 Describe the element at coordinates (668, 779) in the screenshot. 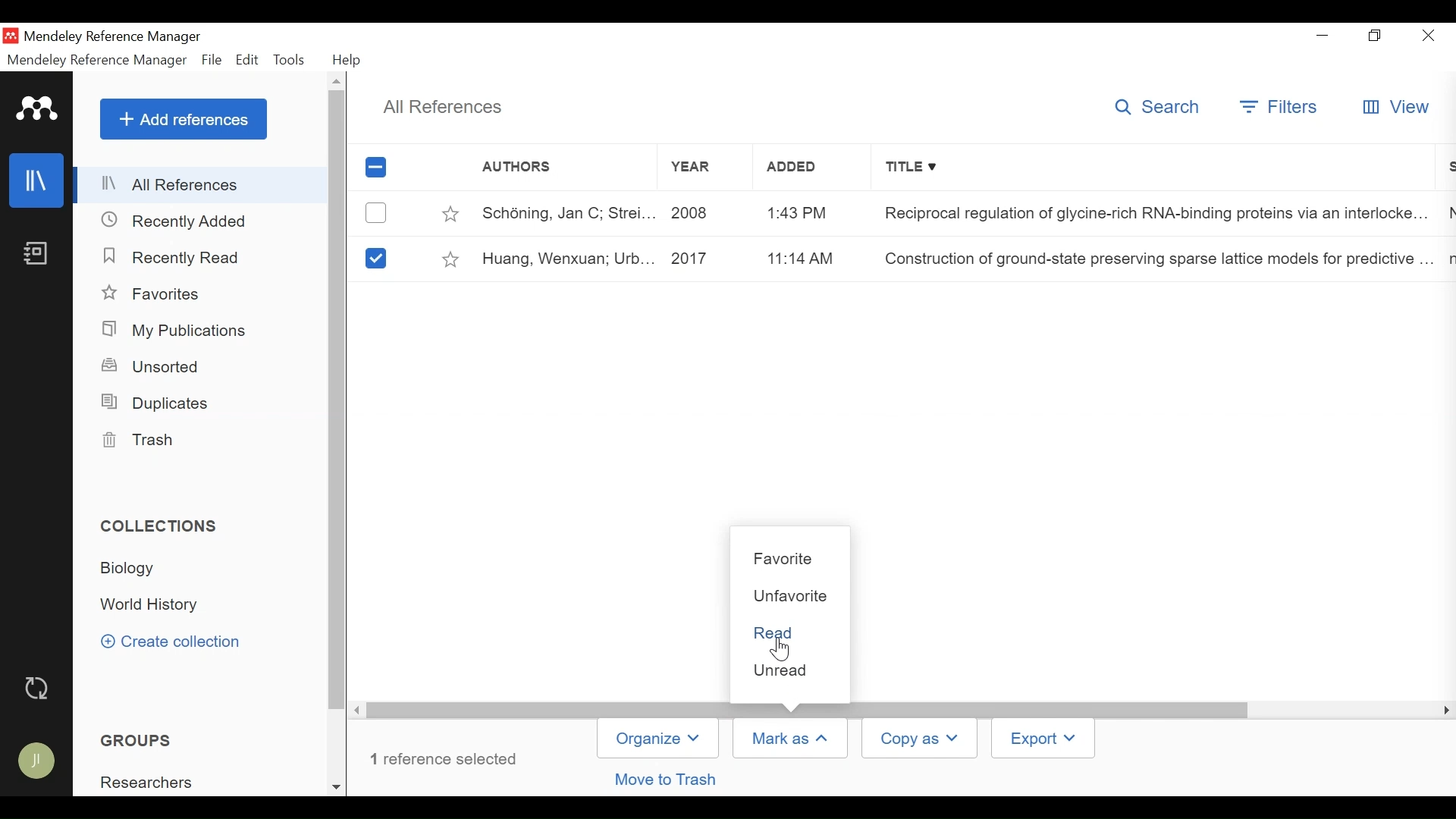

I see `Move to Trash` at that location.